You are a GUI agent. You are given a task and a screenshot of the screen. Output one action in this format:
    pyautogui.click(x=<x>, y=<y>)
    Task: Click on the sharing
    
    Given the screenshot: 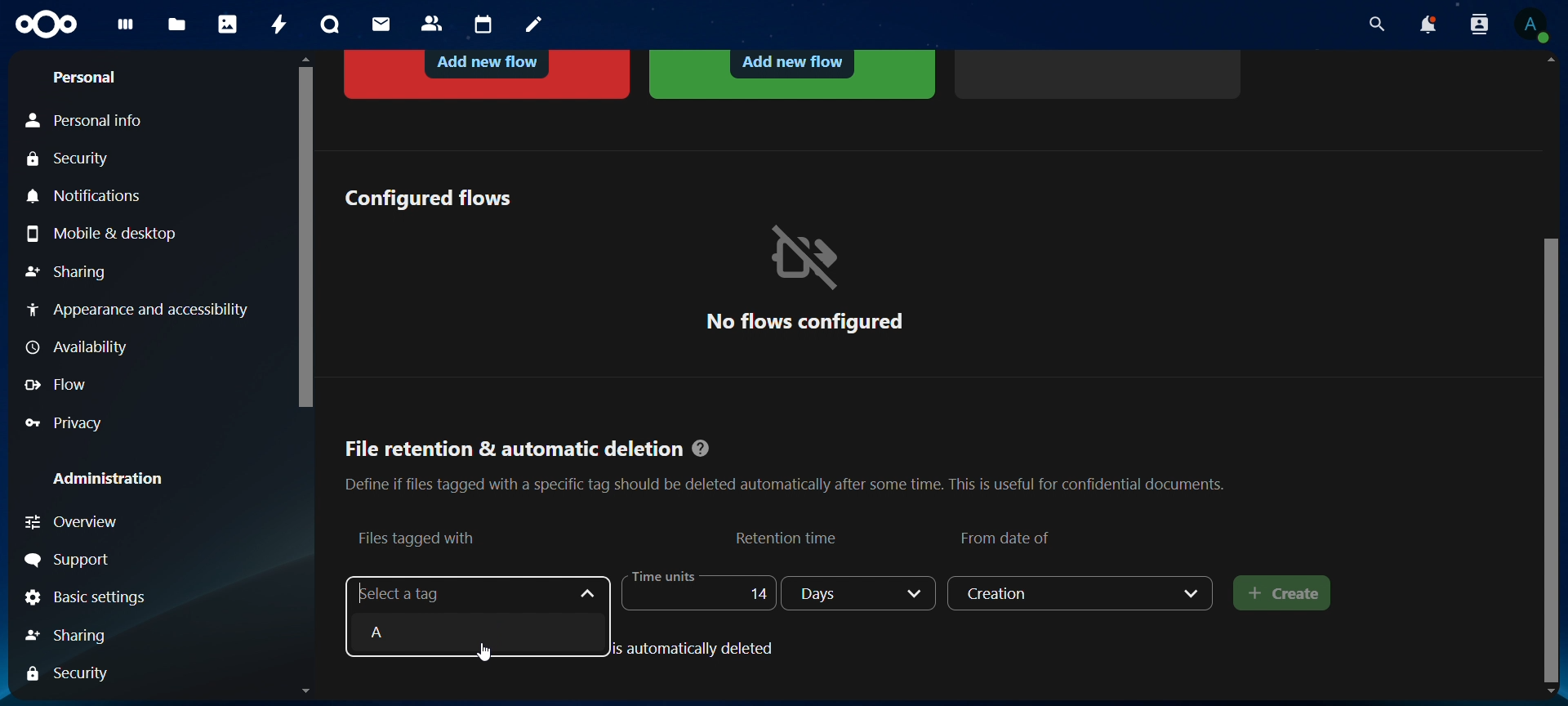 What is the action you would take?
    pyautogui.click(x=84, y=633)
    